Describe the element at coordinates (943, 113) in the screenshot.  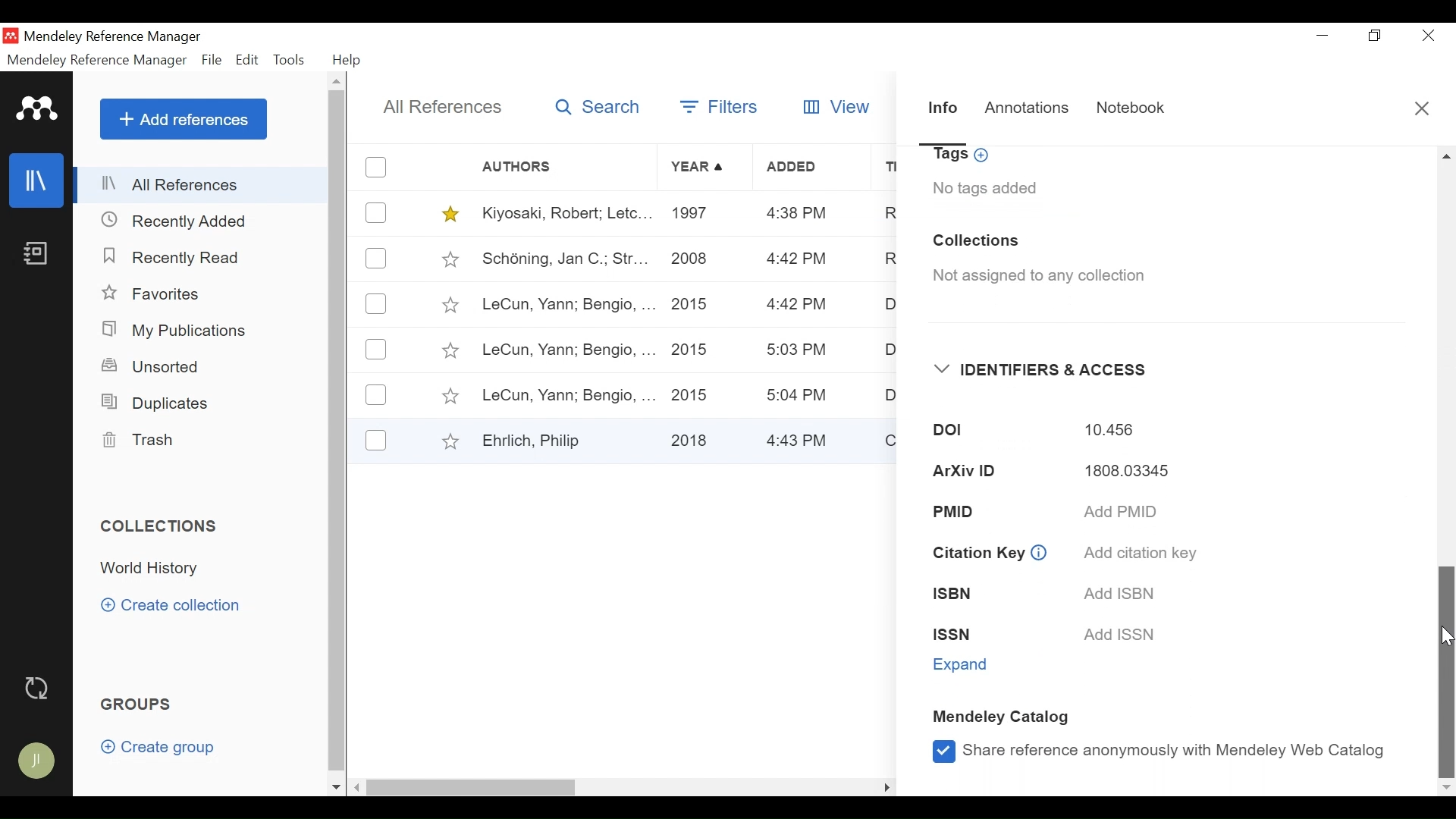
I see `Information` at that location.